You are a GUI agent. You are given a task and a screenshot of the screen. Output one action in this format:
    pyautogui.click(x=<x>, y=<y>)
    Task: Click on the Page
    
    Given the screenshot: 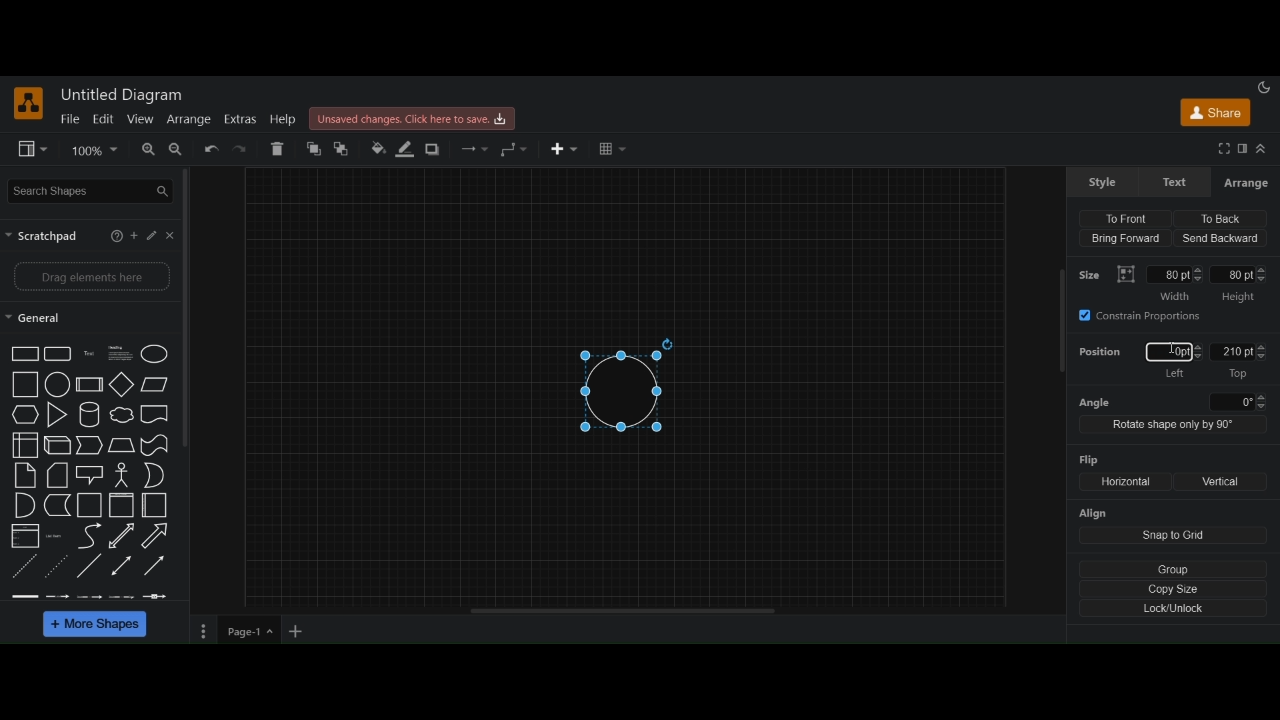 What is the action you would take?
    pyautogui.click(x=25, y=476)
    